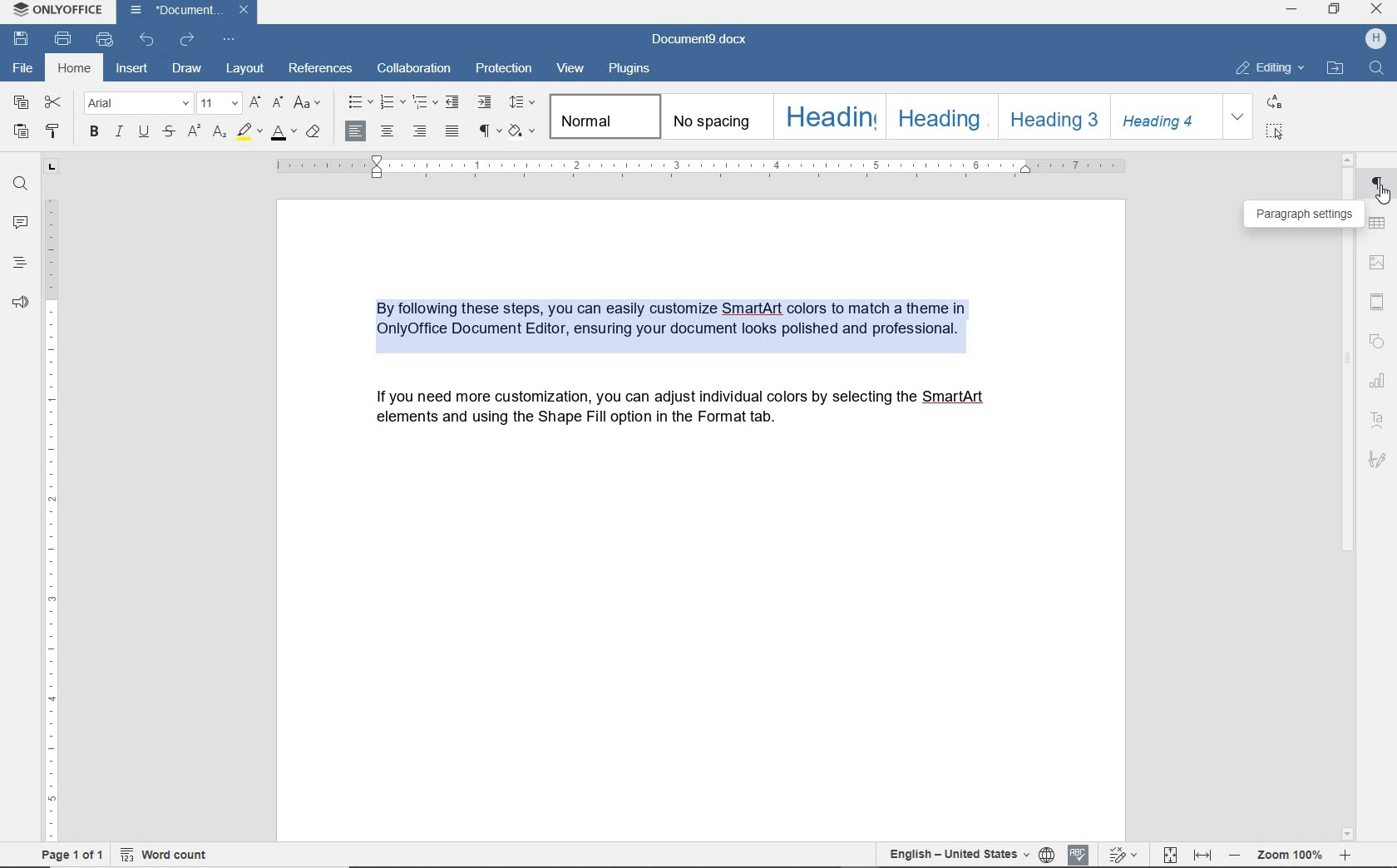 This screenshot has width=1397, height=868. Describe the element at coordinates (418, 131) in the screenshot. I see `align right` at that location.